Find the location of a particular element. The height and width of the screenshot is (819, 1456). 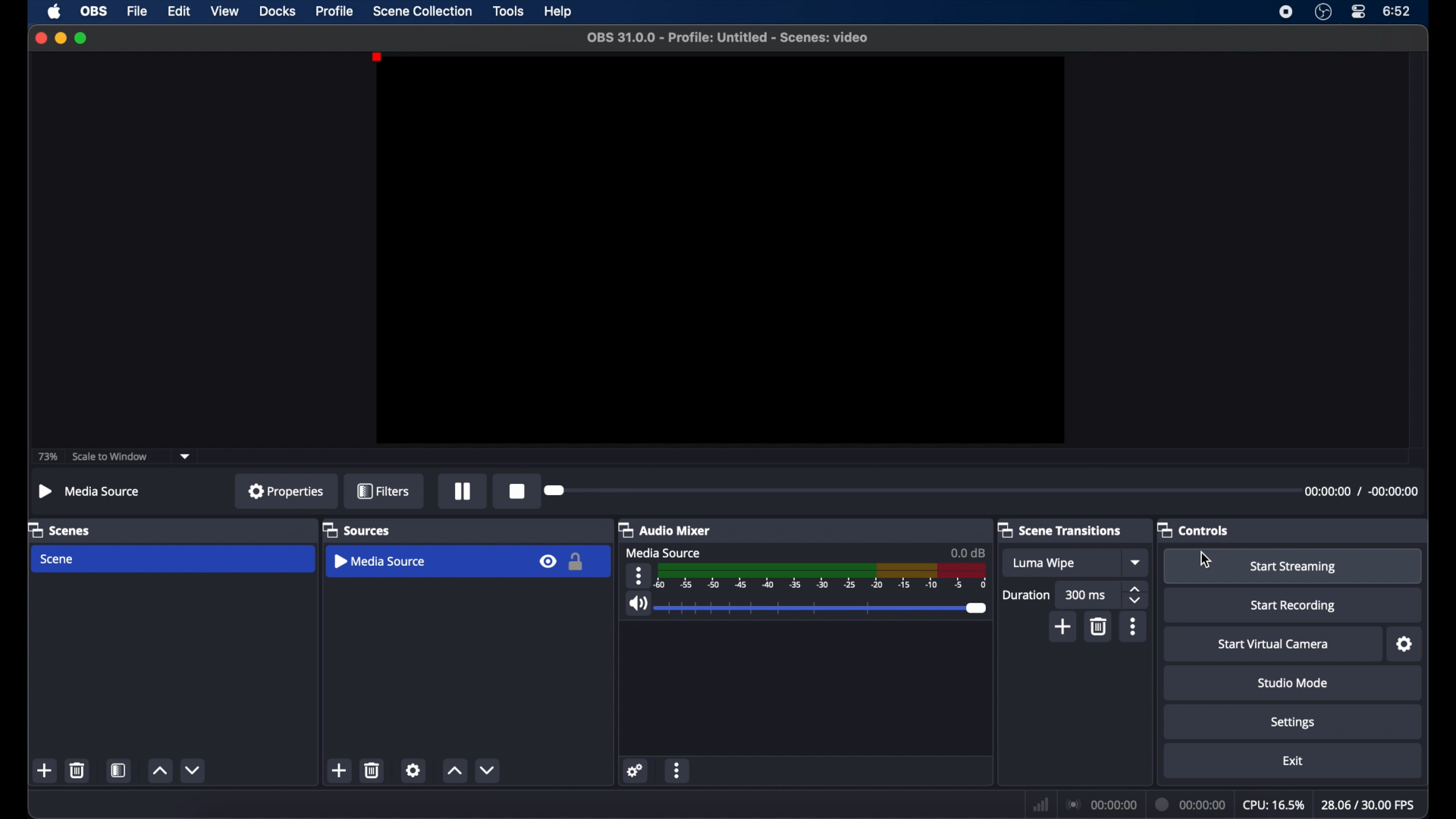

file is located at coordinates (137, 12).